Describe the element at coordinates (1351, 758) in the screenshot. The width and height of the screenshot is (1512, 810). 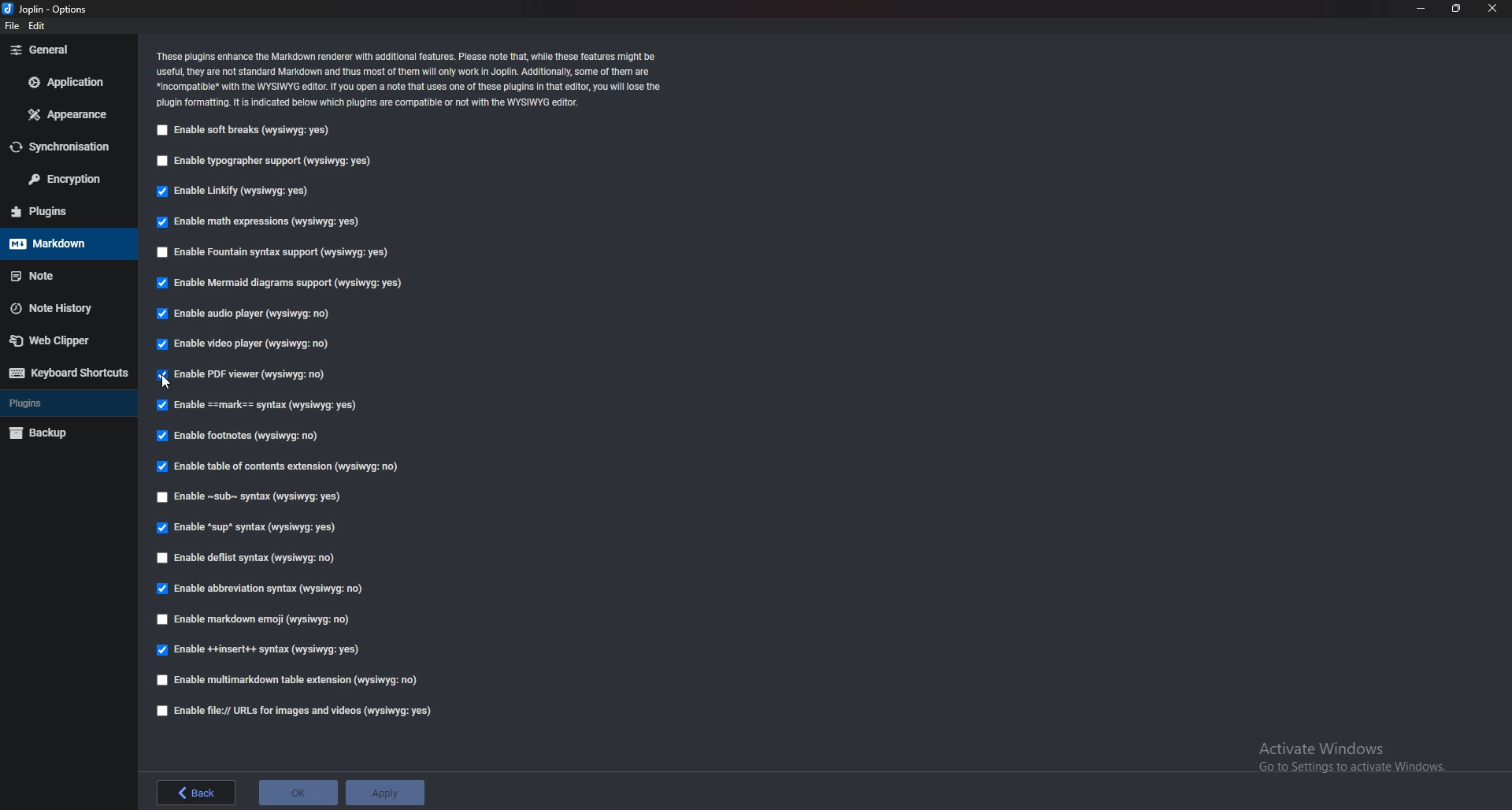
I see `Activate Windows
Go to Settings to activate Windows.` at that location.